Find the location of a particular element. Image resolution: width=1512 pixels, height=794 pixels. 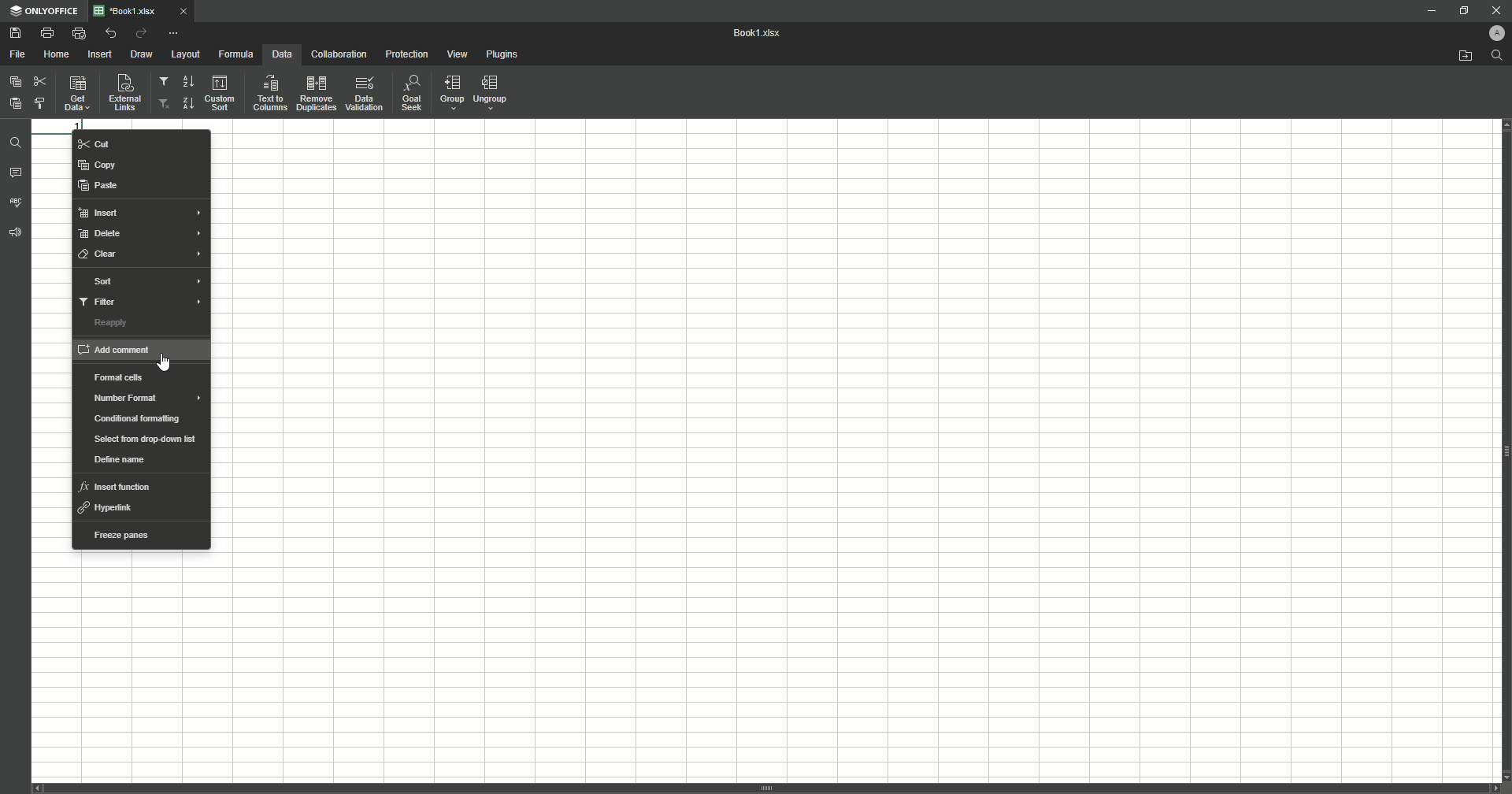

Protection is located at coordinates (406, 55).